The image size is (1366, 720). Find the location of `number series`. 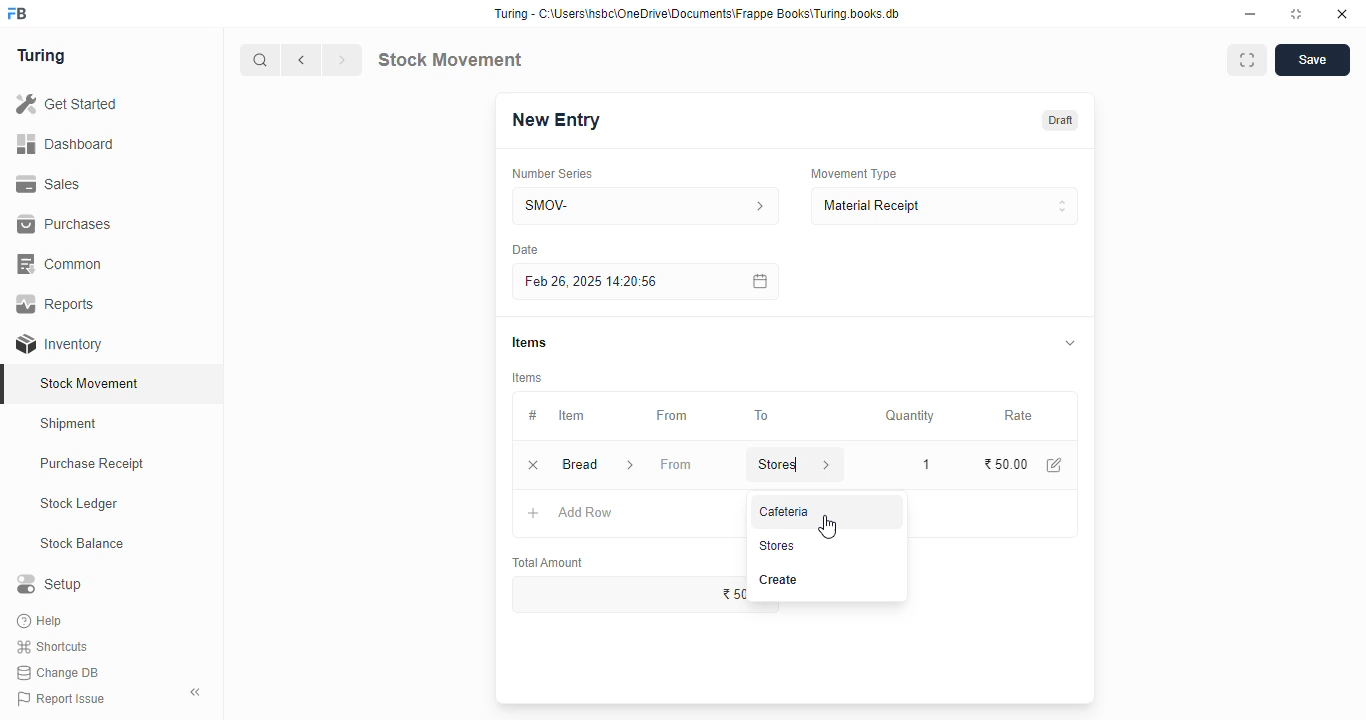

number series is located at coordinates (551, 174).